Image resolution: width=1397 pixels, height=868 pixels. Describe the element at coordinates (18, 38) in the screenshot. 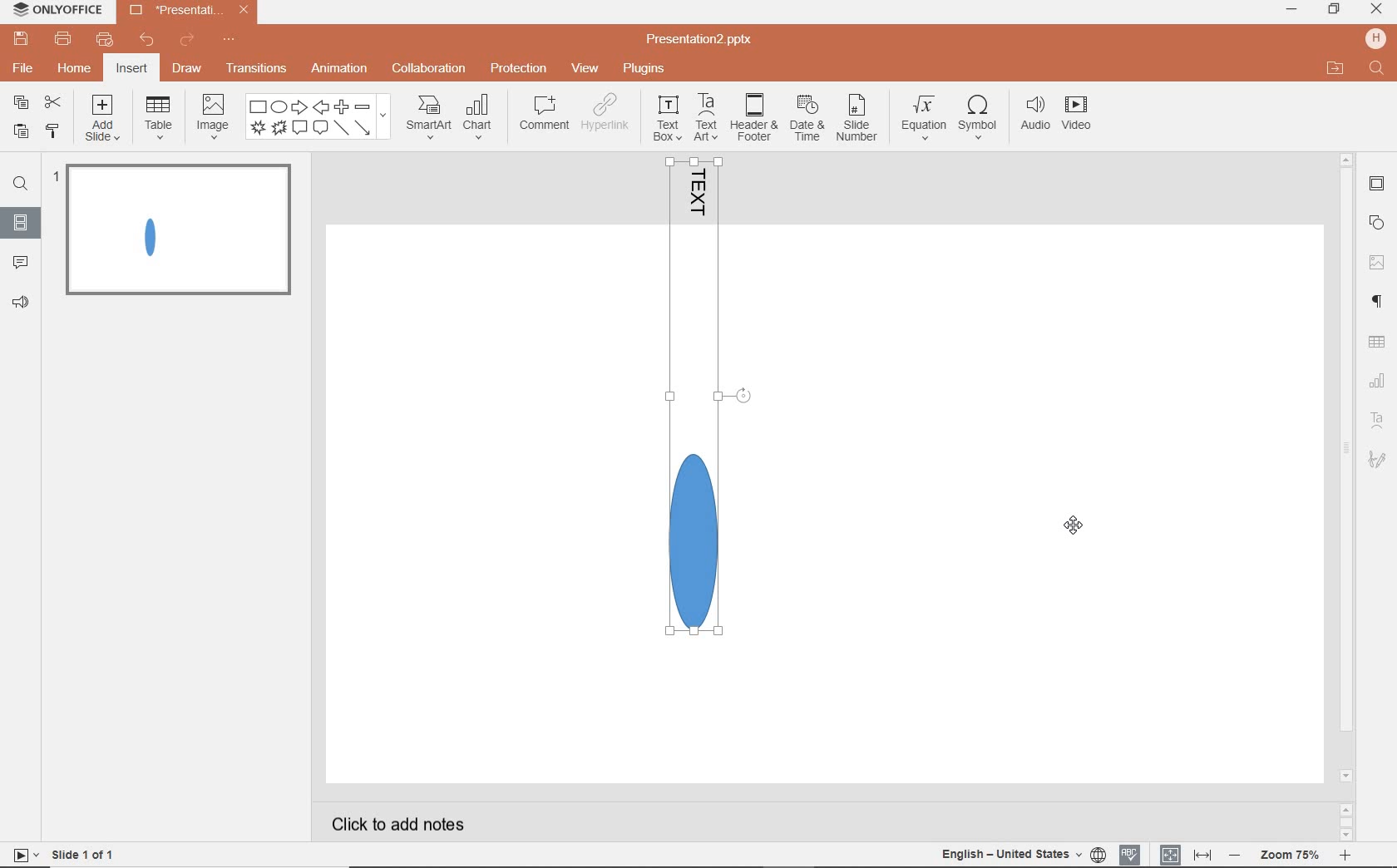

I see `save` at that location.